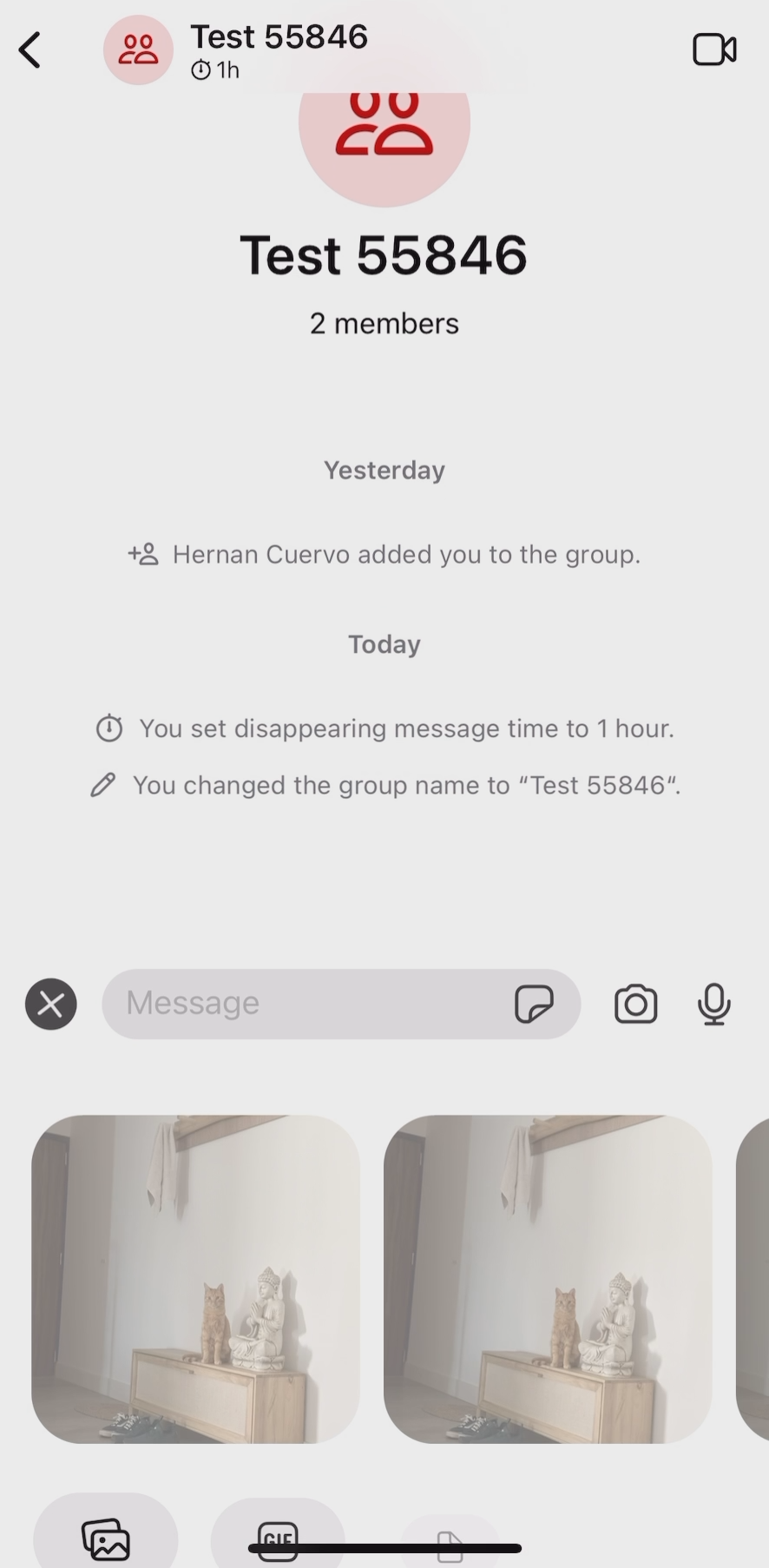 This screenshot has height=1568, width=769. Describe the element at coordinates (190, 1279) in the screenshot. I see `image` at that location.